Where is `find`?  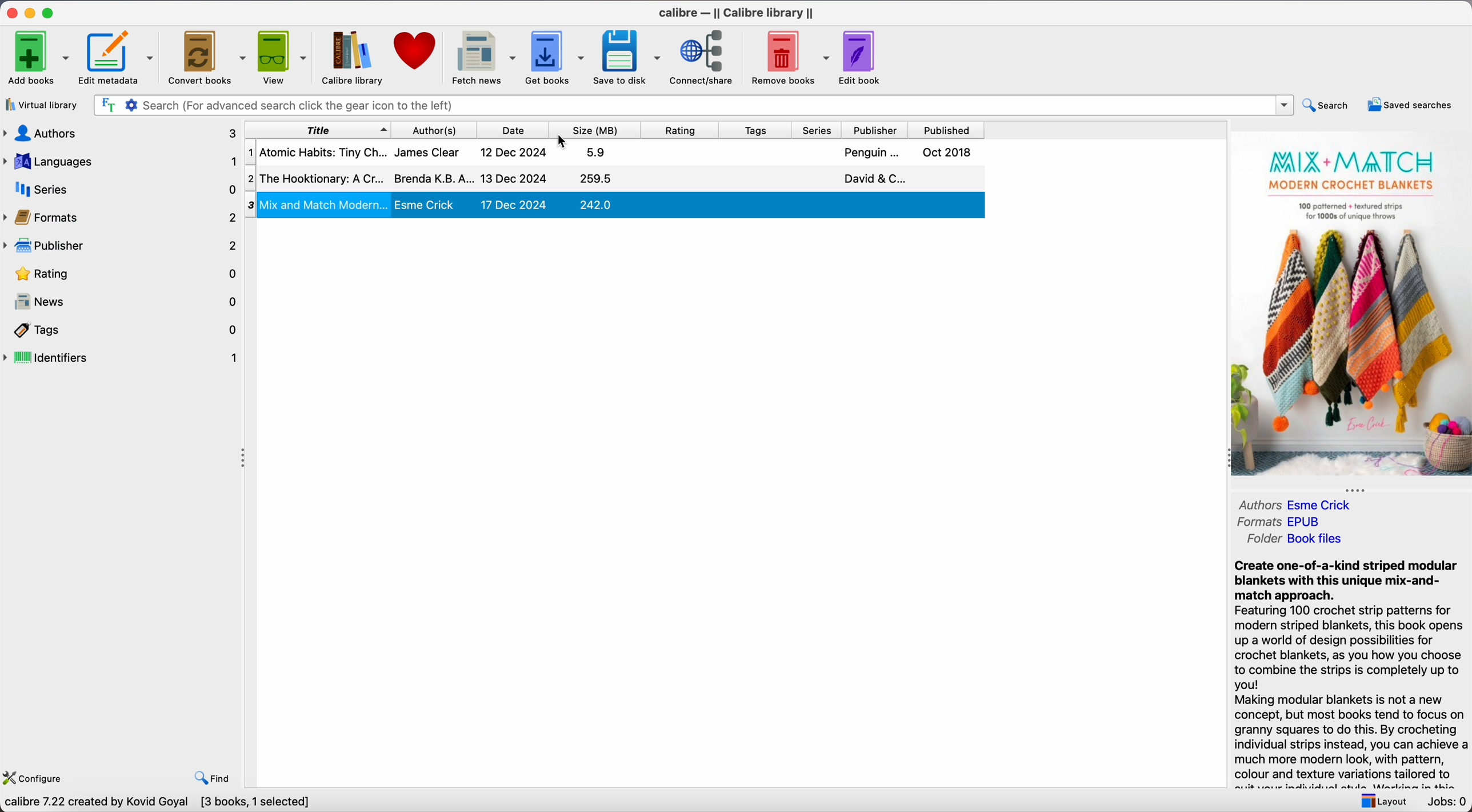 find is located at coordinates (214, 777).